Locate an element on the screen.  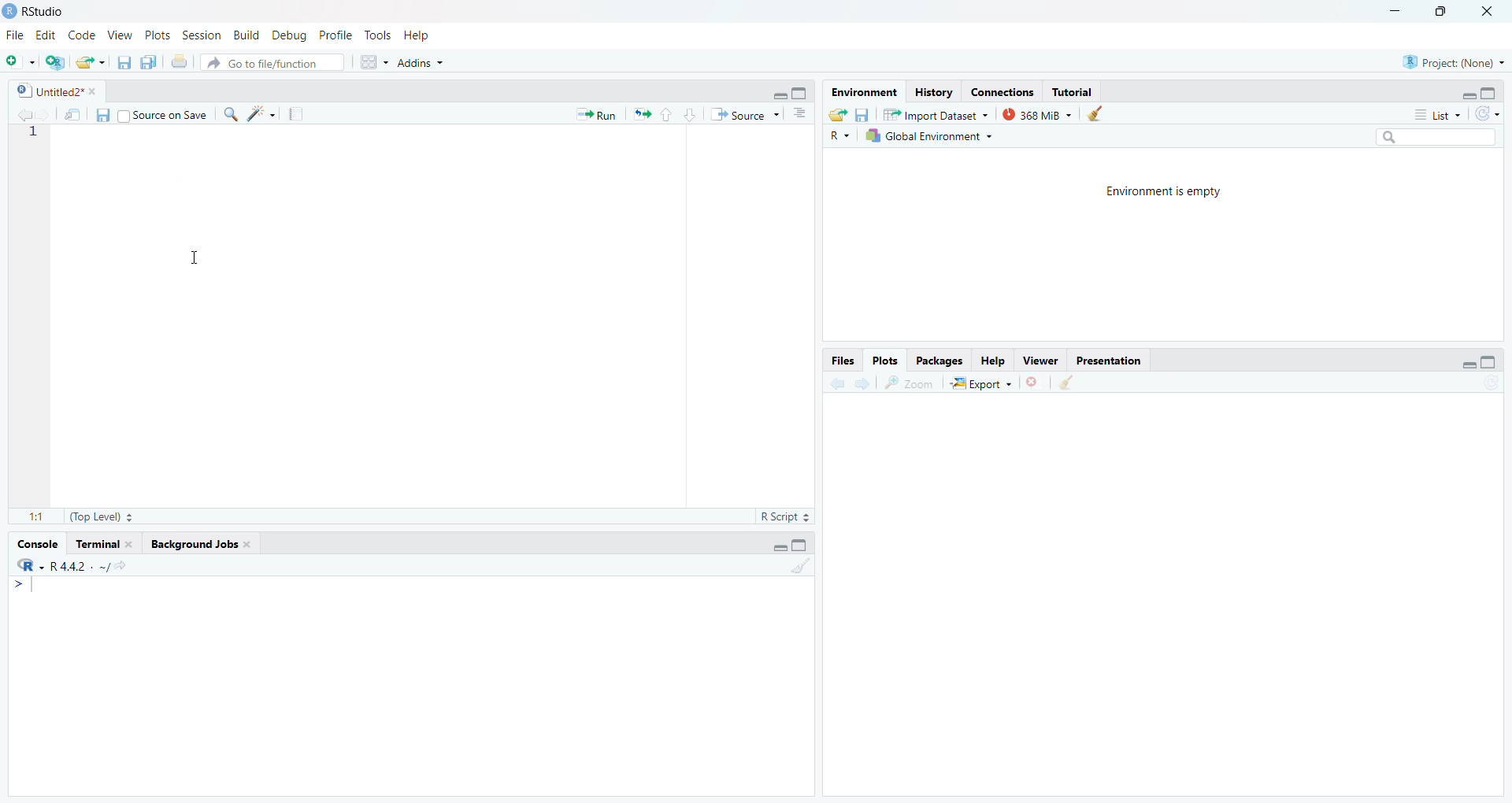
Tutorial is located at coordinates (1076, 92).